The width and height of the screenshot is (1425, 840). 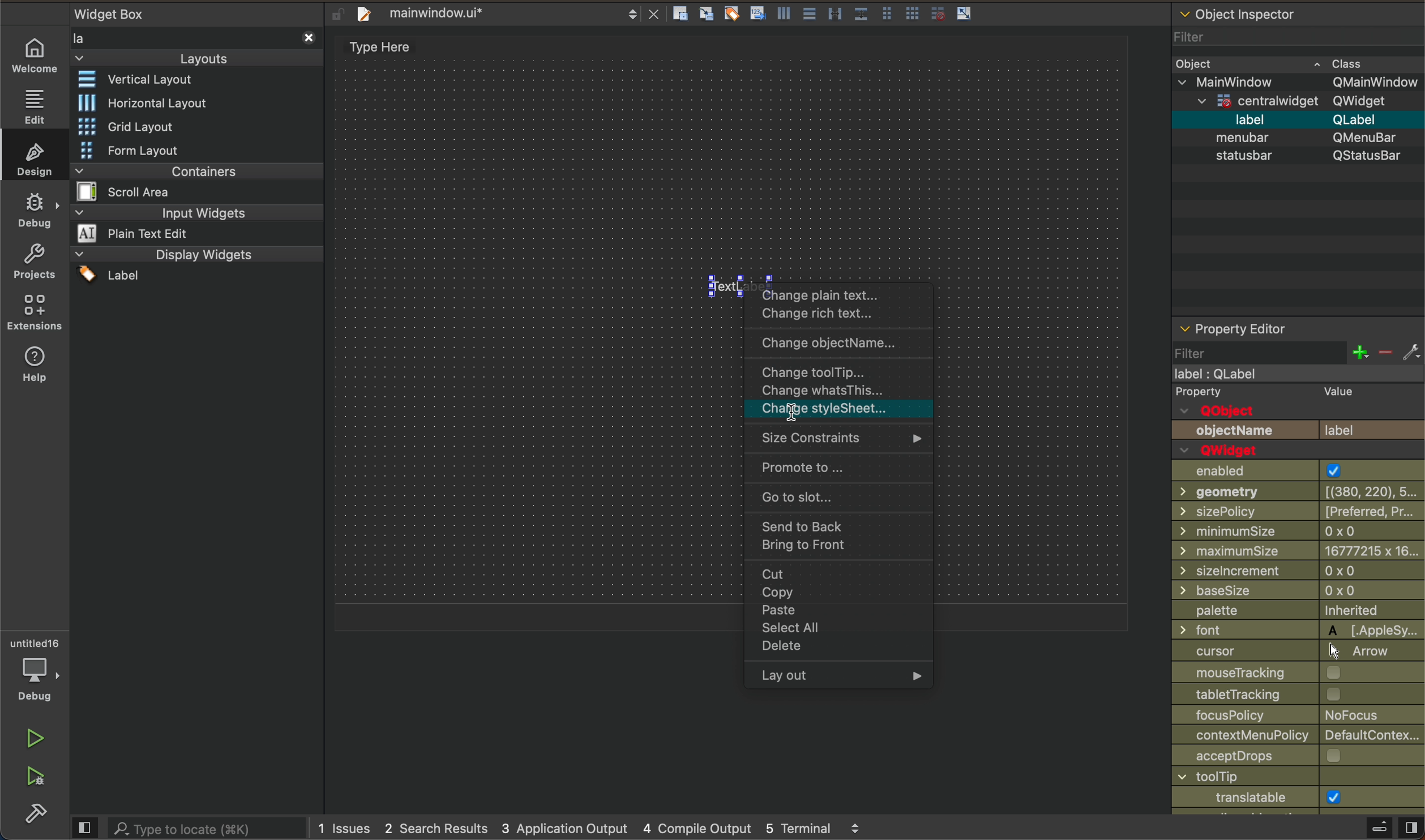 What do you see at coordinates (1296, 393) in the screenshot?
I see `property` at bounding box center [1296, 393].